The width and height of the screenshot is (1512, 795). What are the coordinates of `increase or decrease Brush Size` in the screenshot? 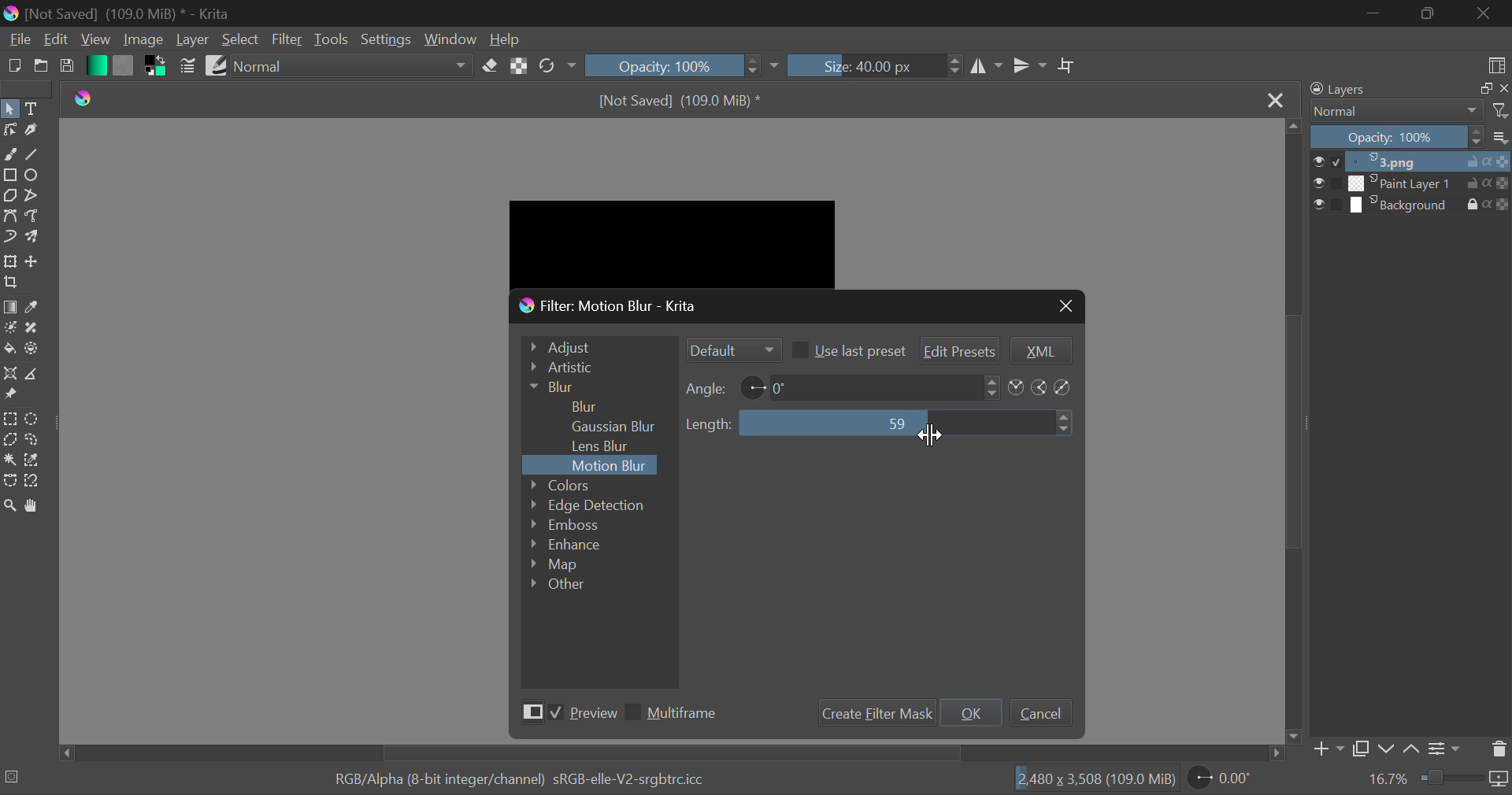 It's located at (955, 68).